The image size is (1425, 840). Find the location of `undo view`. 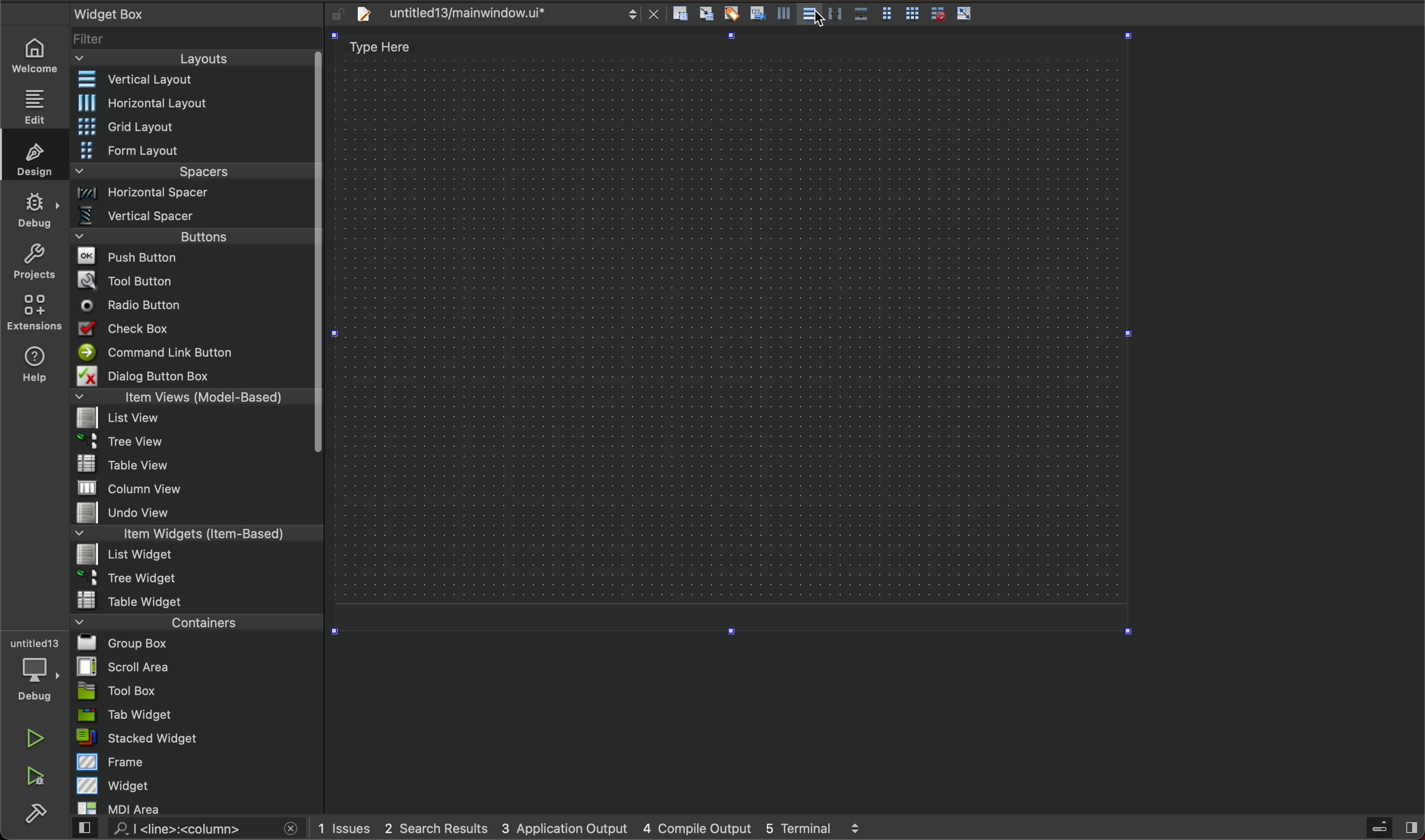

undo view is located at coordinates (192, 513).